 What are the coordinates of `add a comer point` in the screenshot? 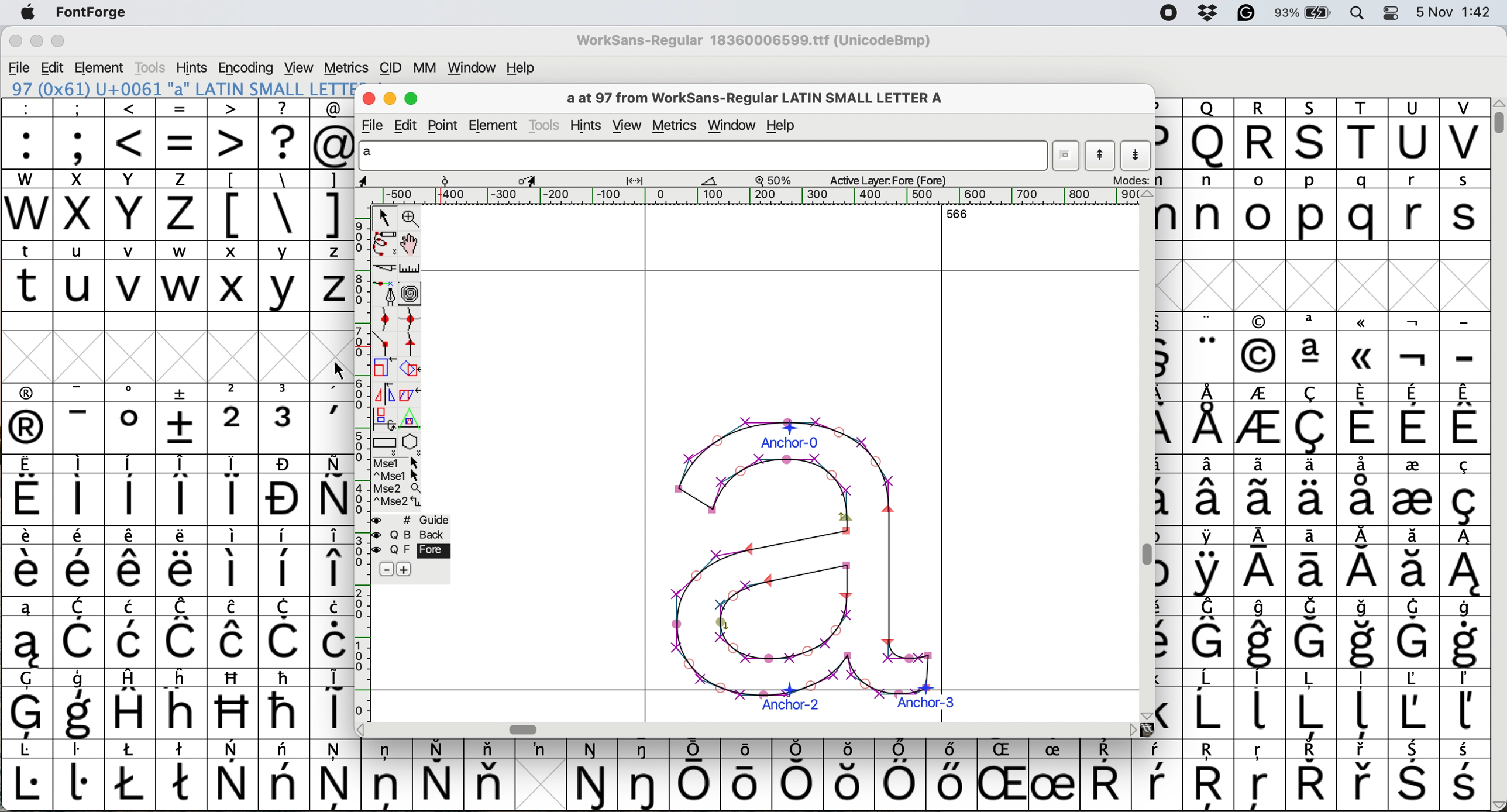 It's located at (387, 343).